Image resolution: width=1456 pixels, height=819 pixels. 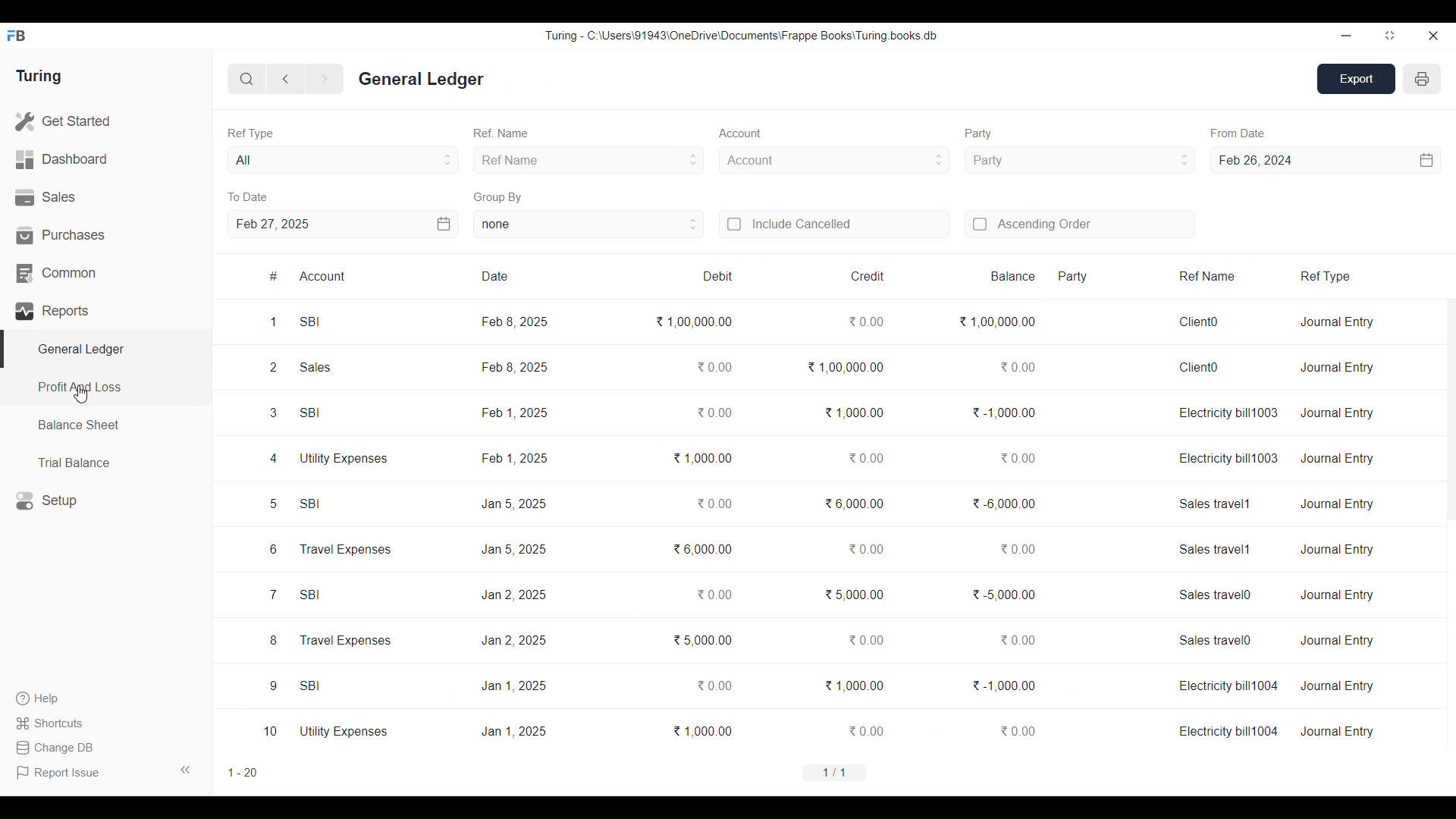 I want to click on 3 SBI, so click(x=297, y=413).